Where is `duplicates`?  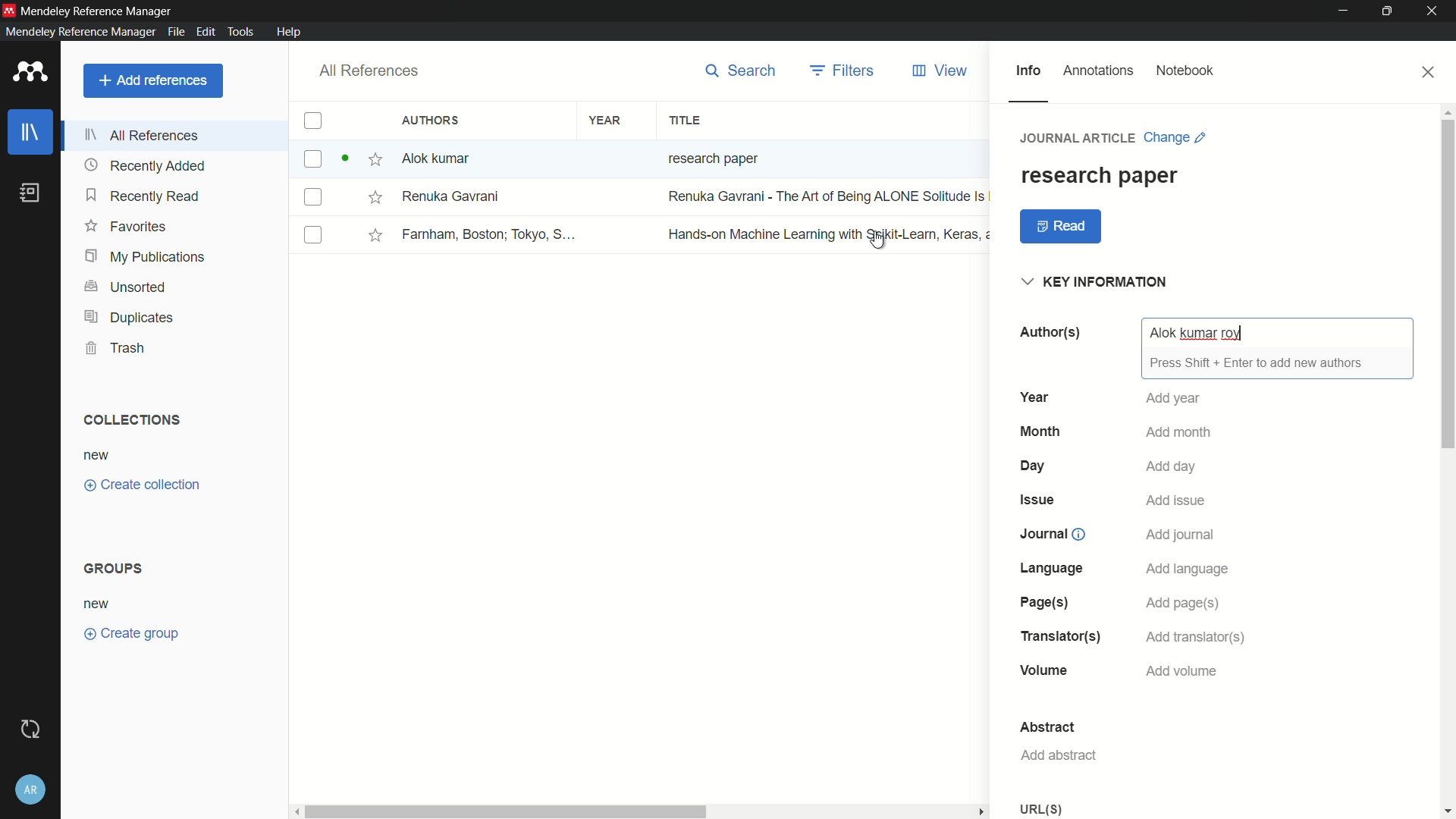
duplicates is located at coordinates (128, 318).